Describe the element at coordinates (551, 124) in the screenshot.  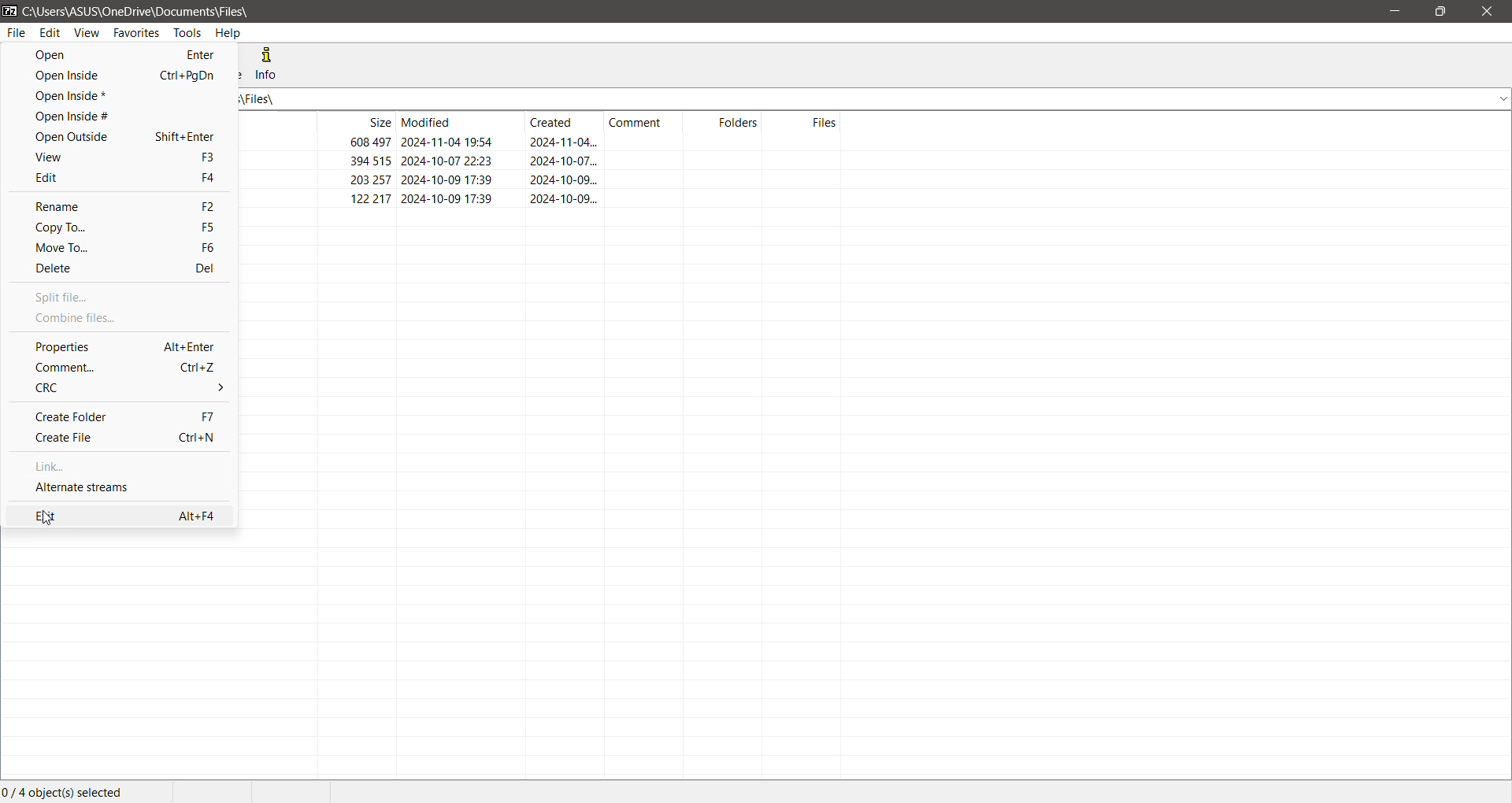
I see `Created` at that location.